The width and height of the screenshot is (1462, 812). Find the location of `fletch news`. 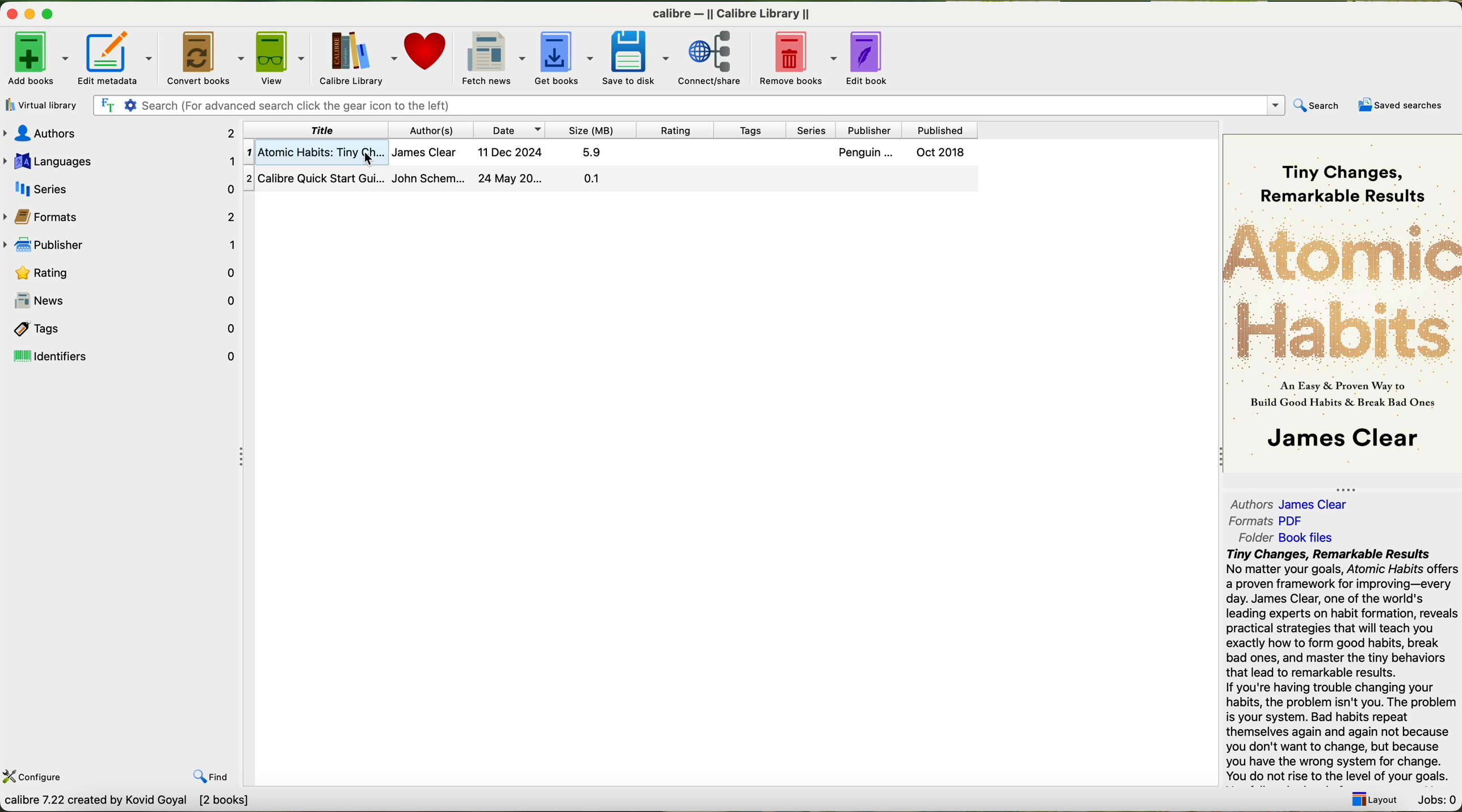

fletch news is located at coordinates (493, 57).